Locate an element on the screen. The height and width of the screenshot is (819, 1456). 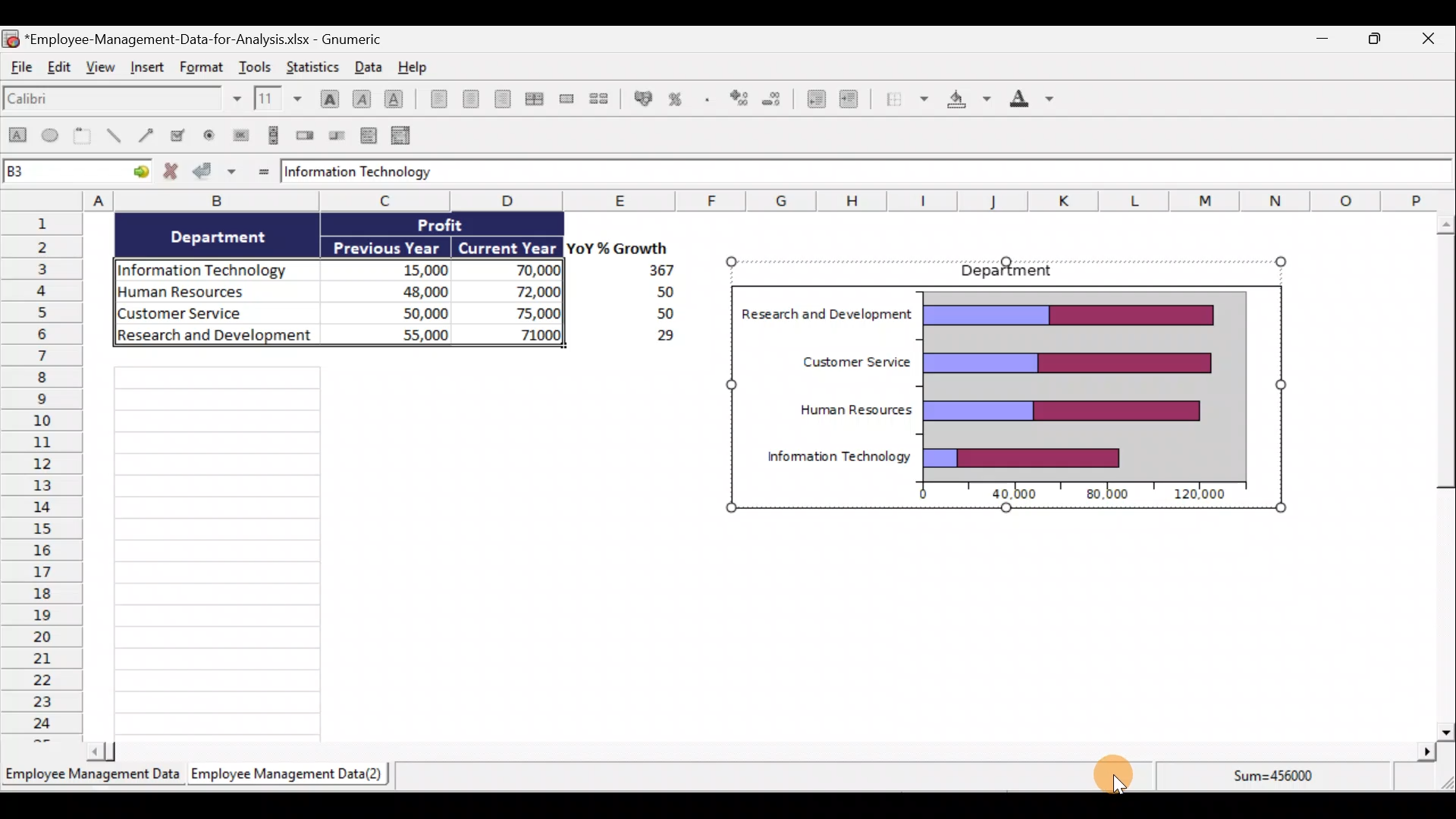
Create a checkbox is located at coordinates (178, 134).